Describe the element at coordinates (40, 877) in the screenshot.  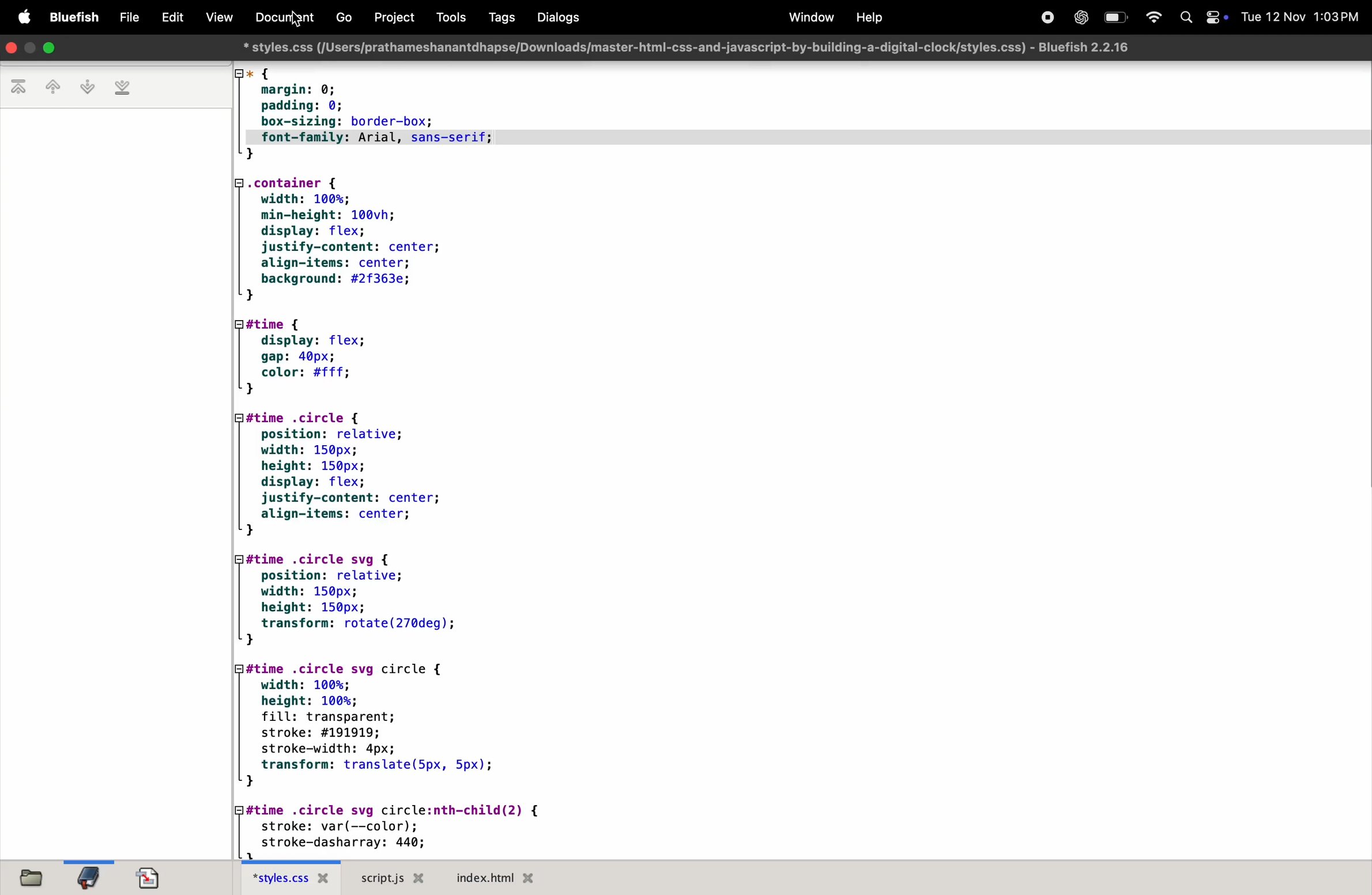
I see `file` at that location.